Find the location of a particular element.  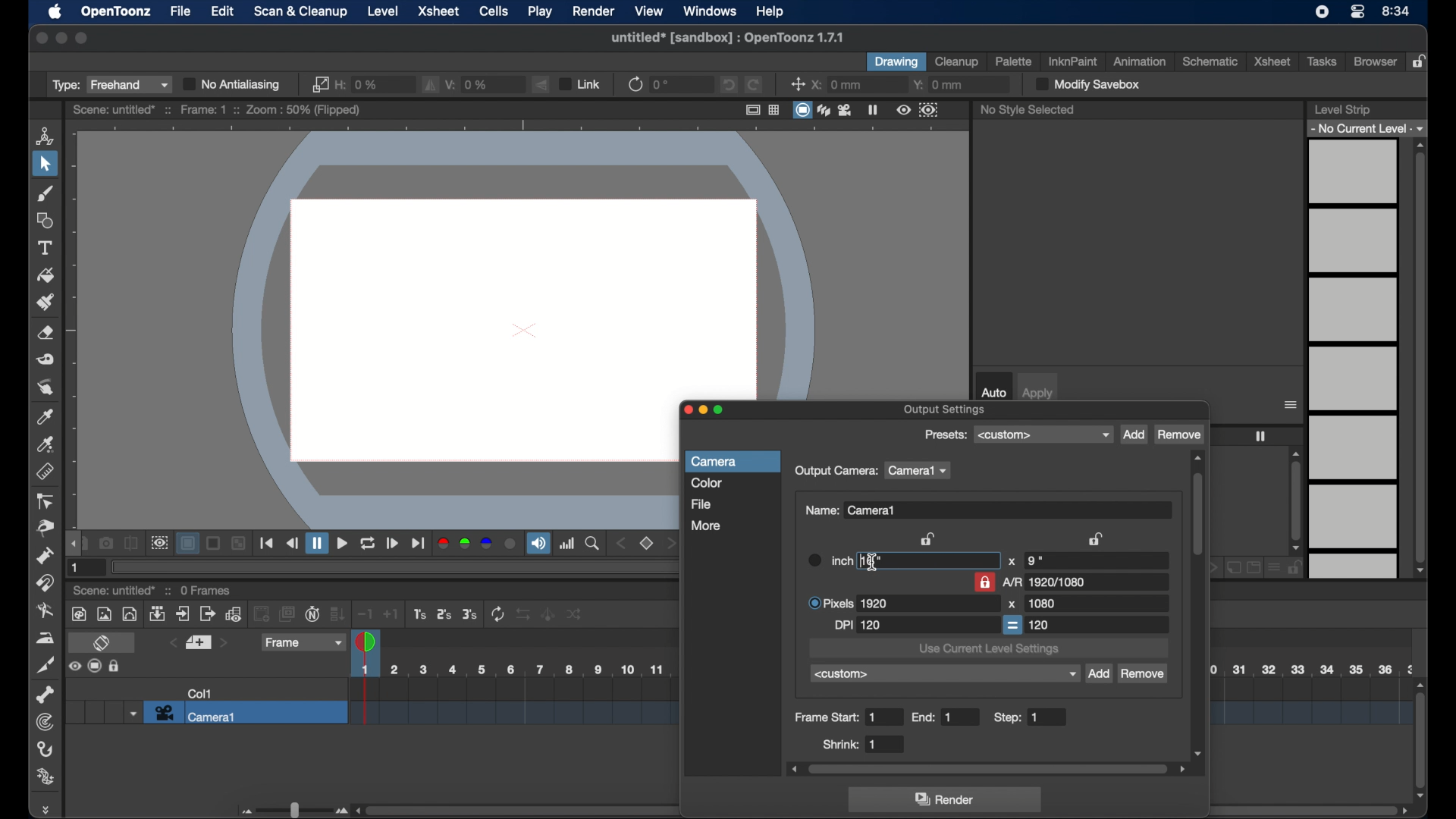

 is located at coordinates (394, 614).